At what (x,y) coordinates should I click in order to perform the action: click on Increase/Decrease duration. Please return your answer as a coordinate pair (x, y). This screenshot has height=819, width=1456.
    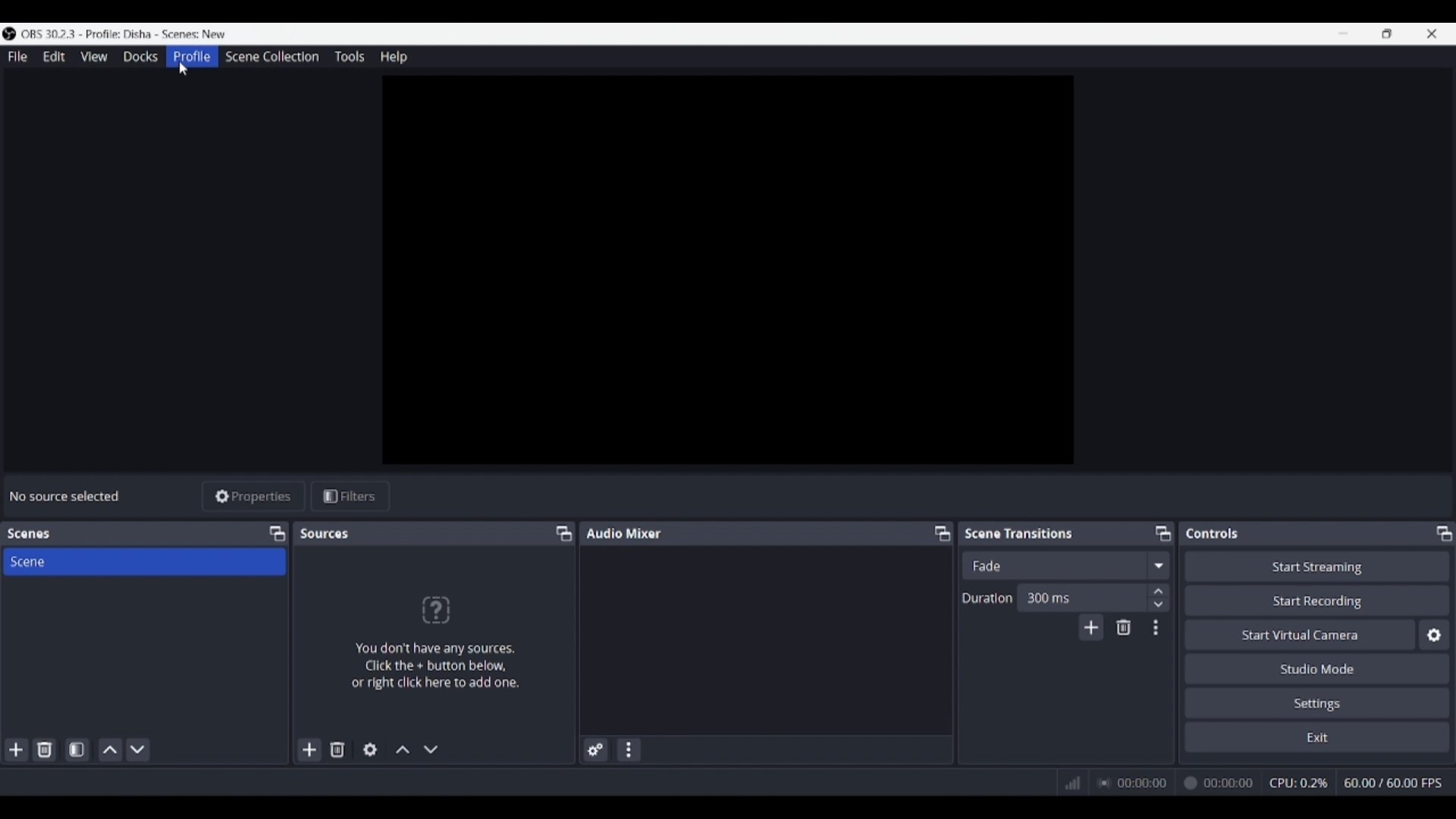
    Looking at the image, I should click on (1159, 597).